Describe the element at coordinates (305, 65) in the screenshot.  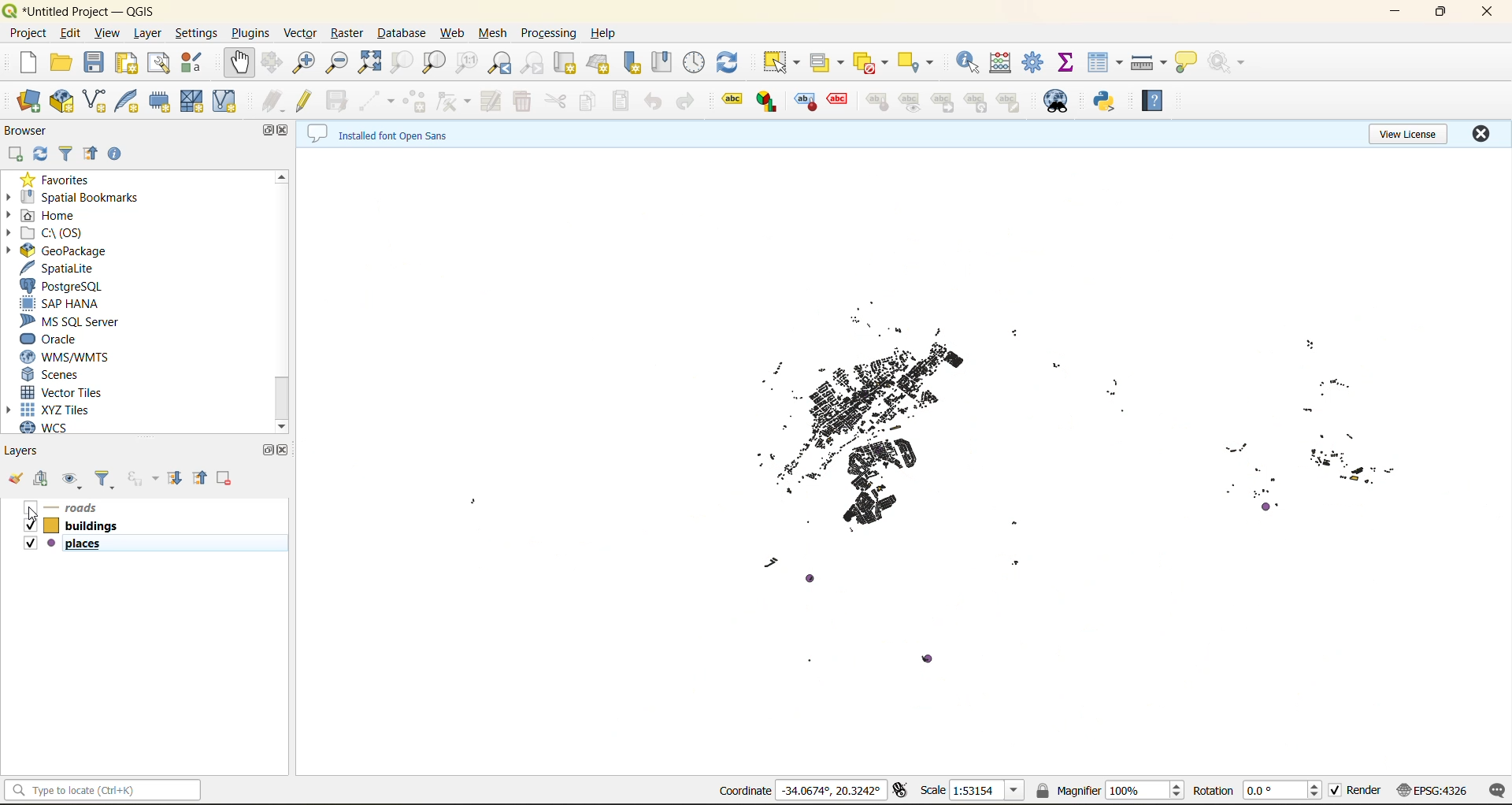
I see `zoom in` at that location.